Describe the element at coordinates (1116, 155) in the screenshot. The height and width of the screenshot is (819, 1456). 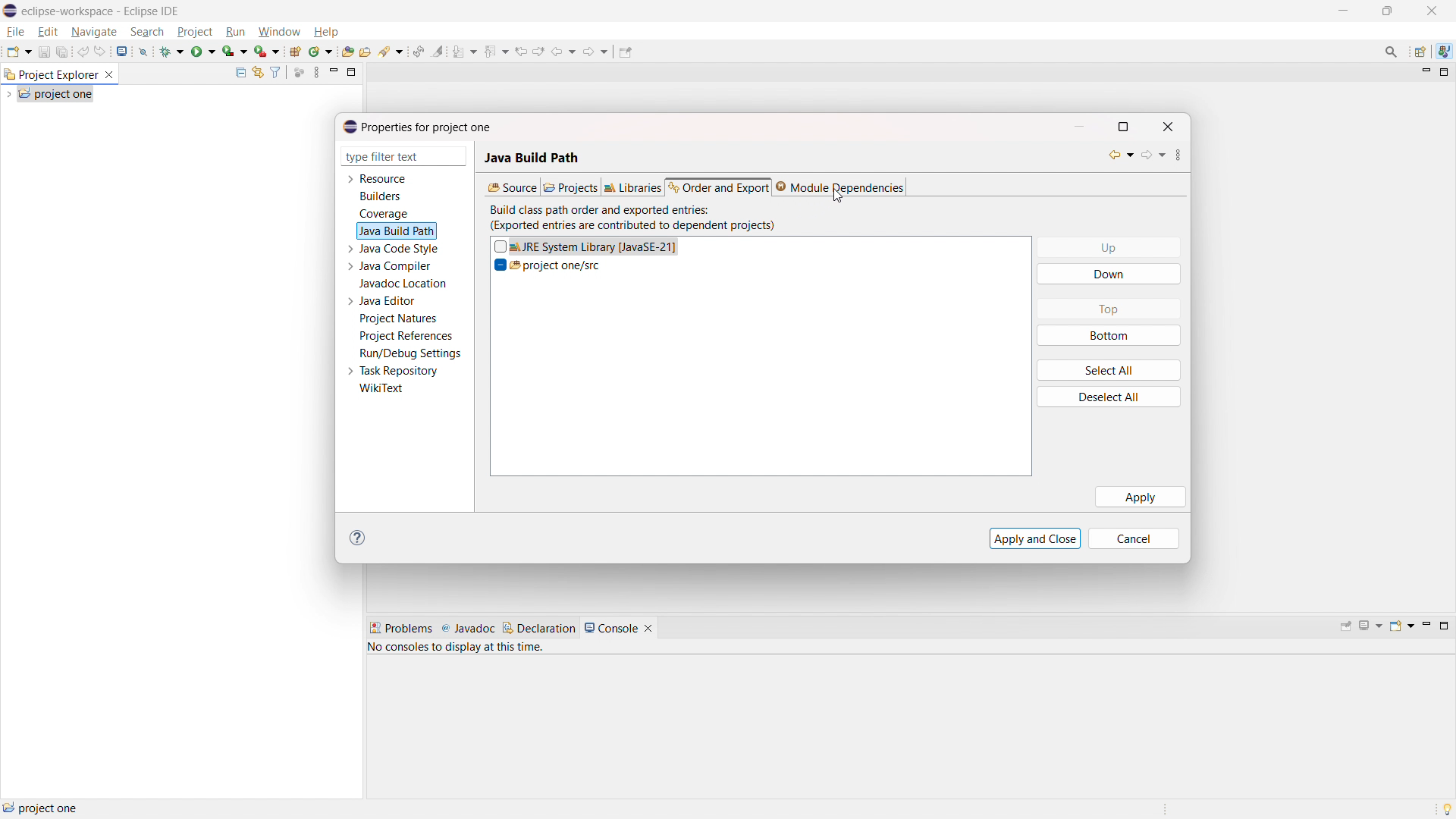
I see `back` at that location.